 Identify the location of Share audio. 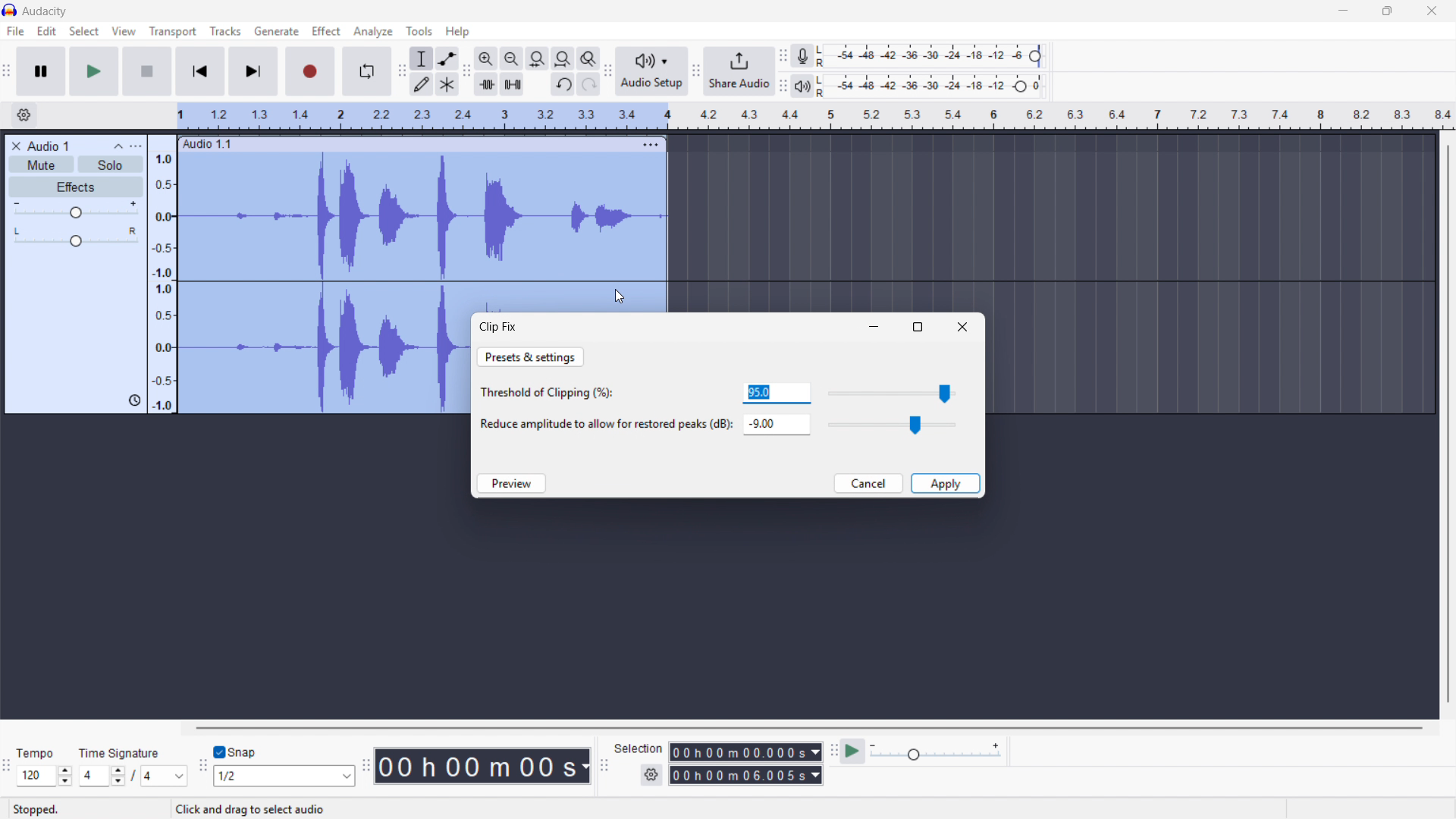
(739, 71).